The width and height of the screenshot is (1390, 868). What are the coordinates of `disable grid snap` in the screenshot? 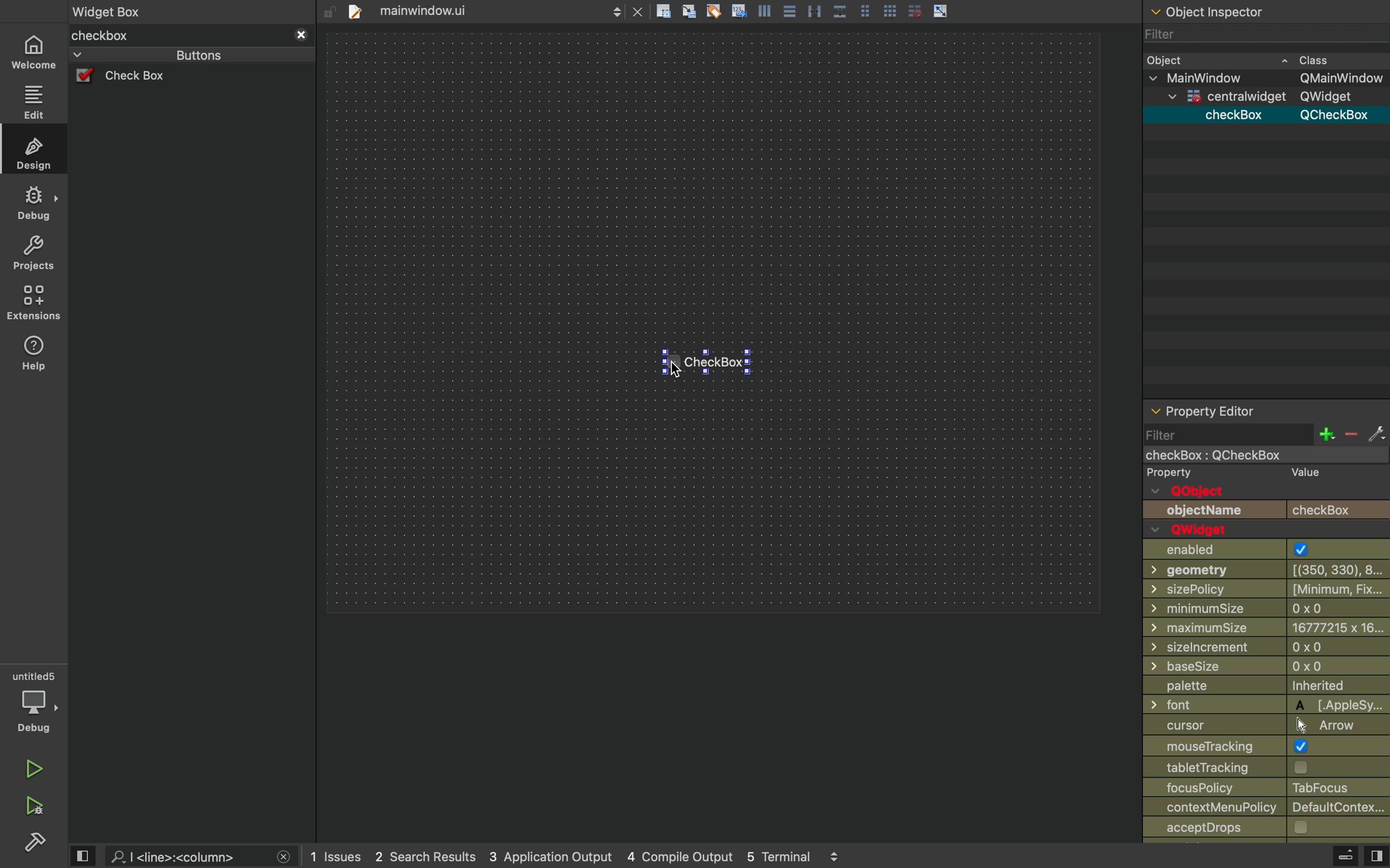 It's located at (913, 10).